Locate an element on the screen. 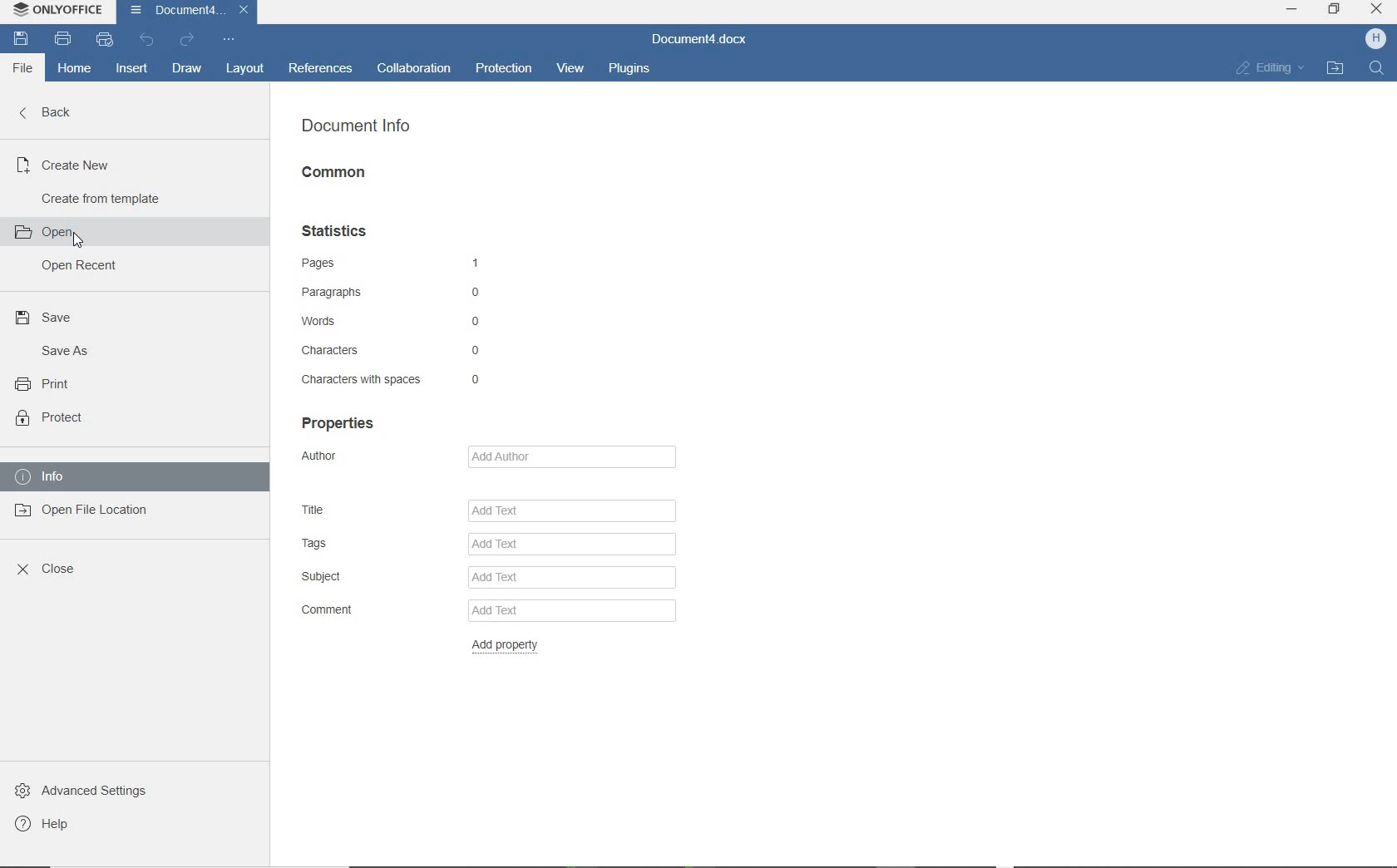 The width and height of the screenshot is (1397, 868). Find is located at coordinates (1376, 67).